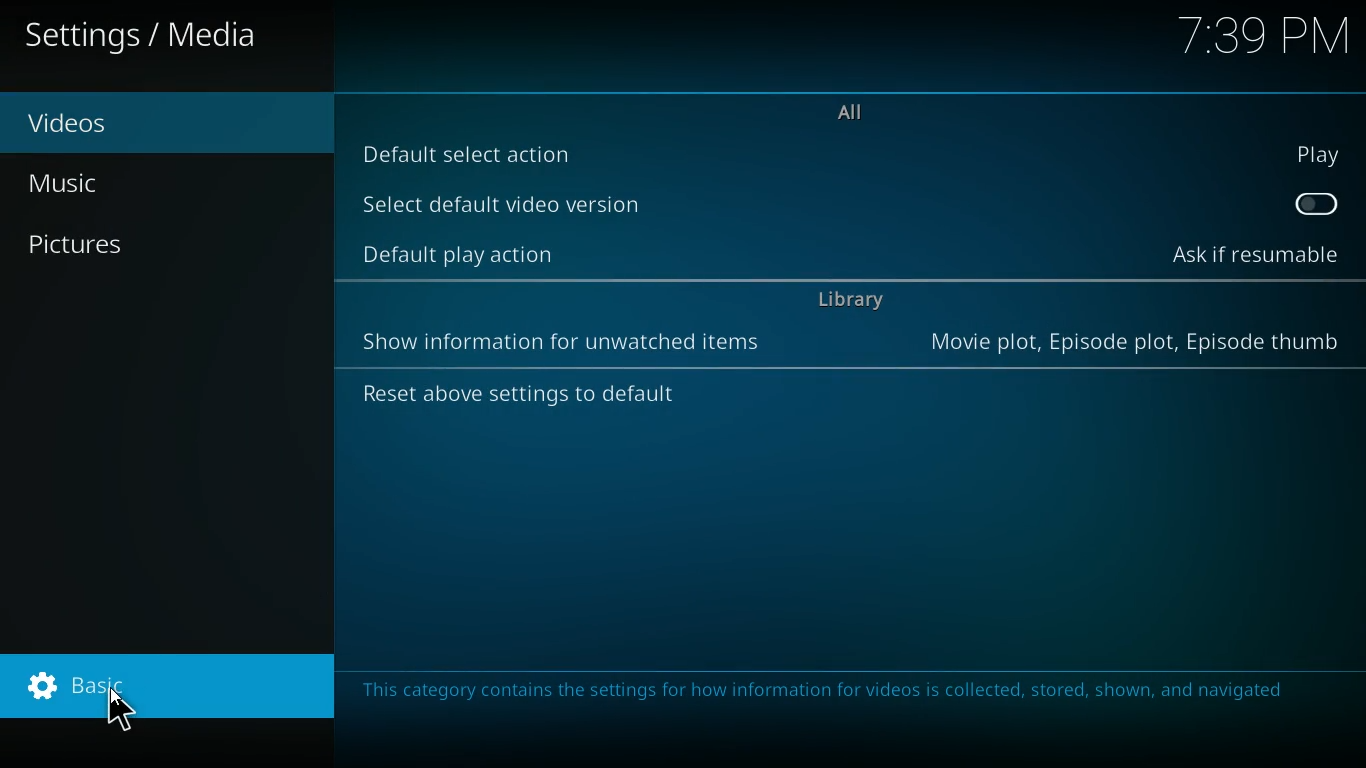 The image size is (1366, 768). Describe the element at coordinates (1130, 340) in the screenshot. I see `movie plot, episode plot, episote thumb` at that location.